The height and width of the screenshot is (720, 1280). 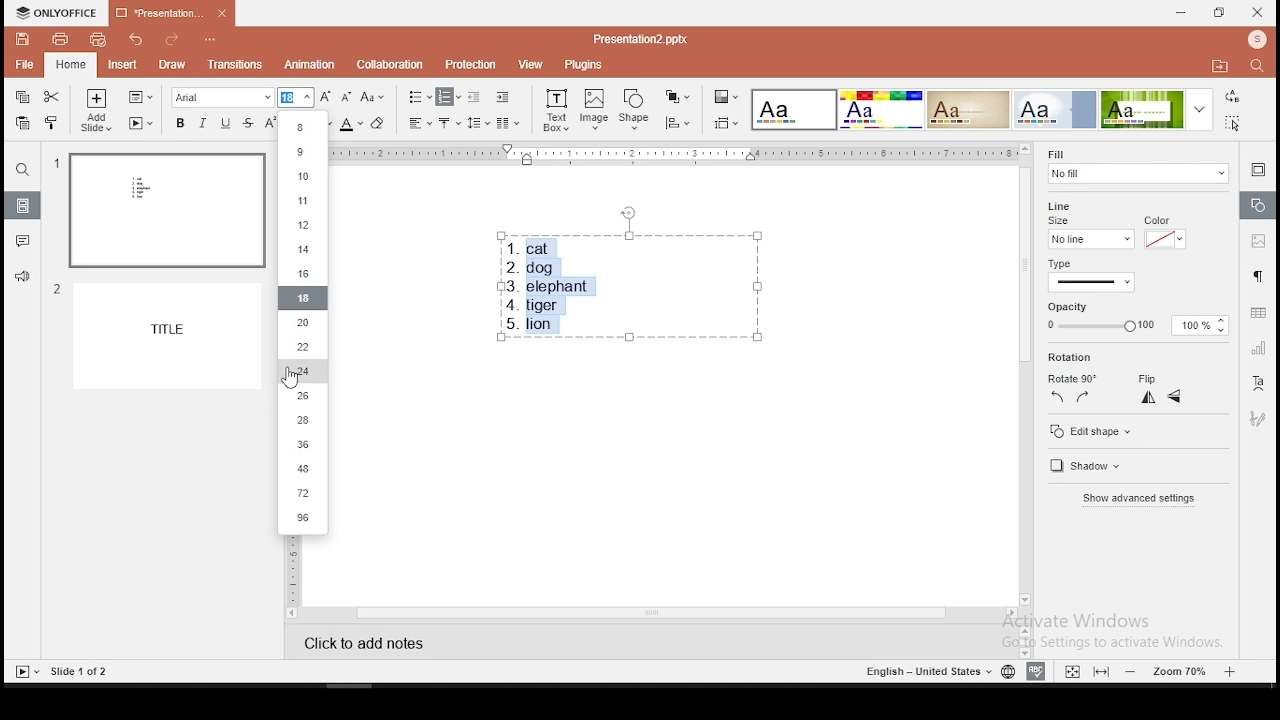 I want to click on line color, so click(x=1163, y=233).